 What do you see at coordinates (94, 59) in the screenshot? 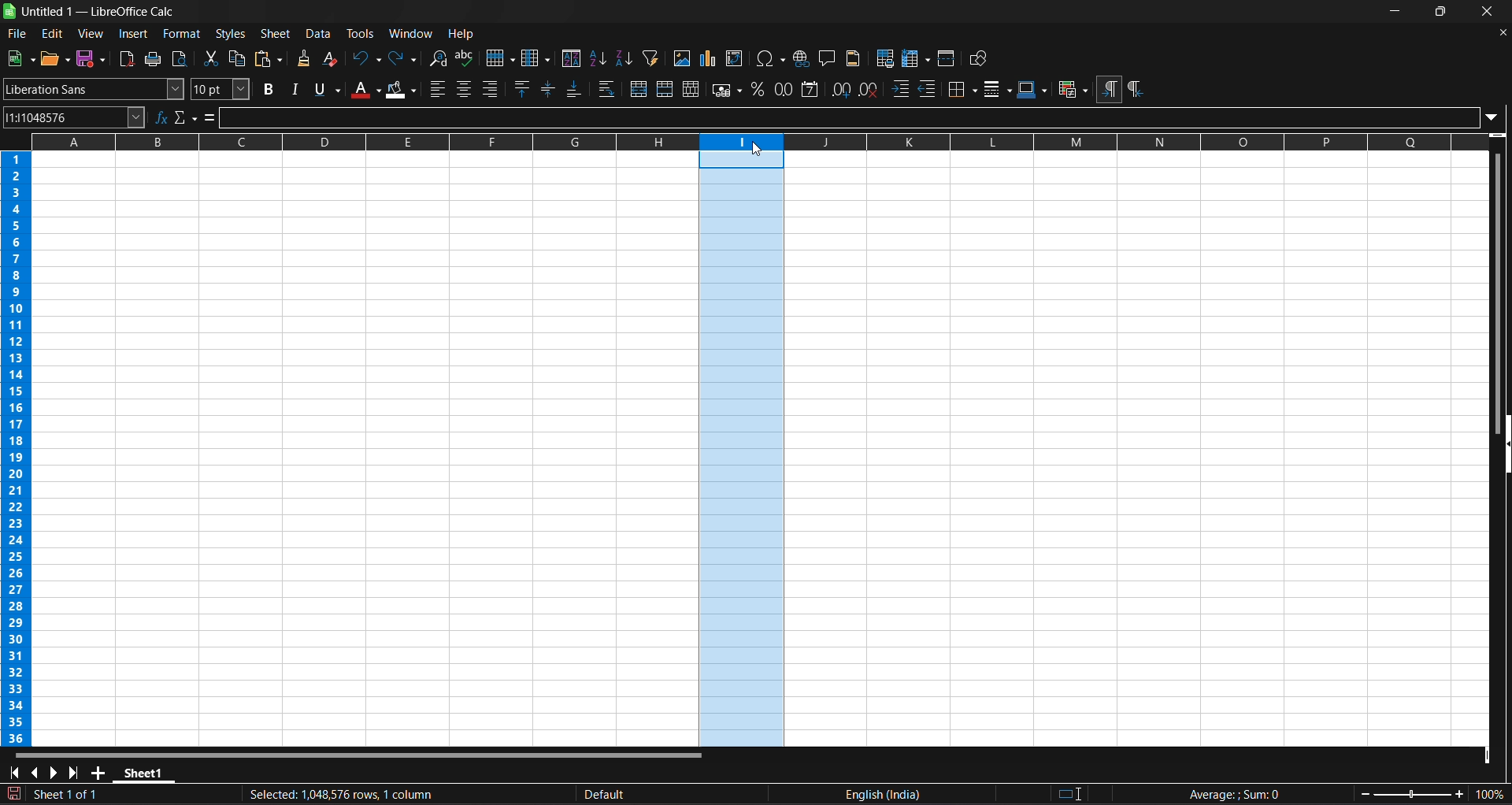
I see `save` at bounding box center [94, 59].